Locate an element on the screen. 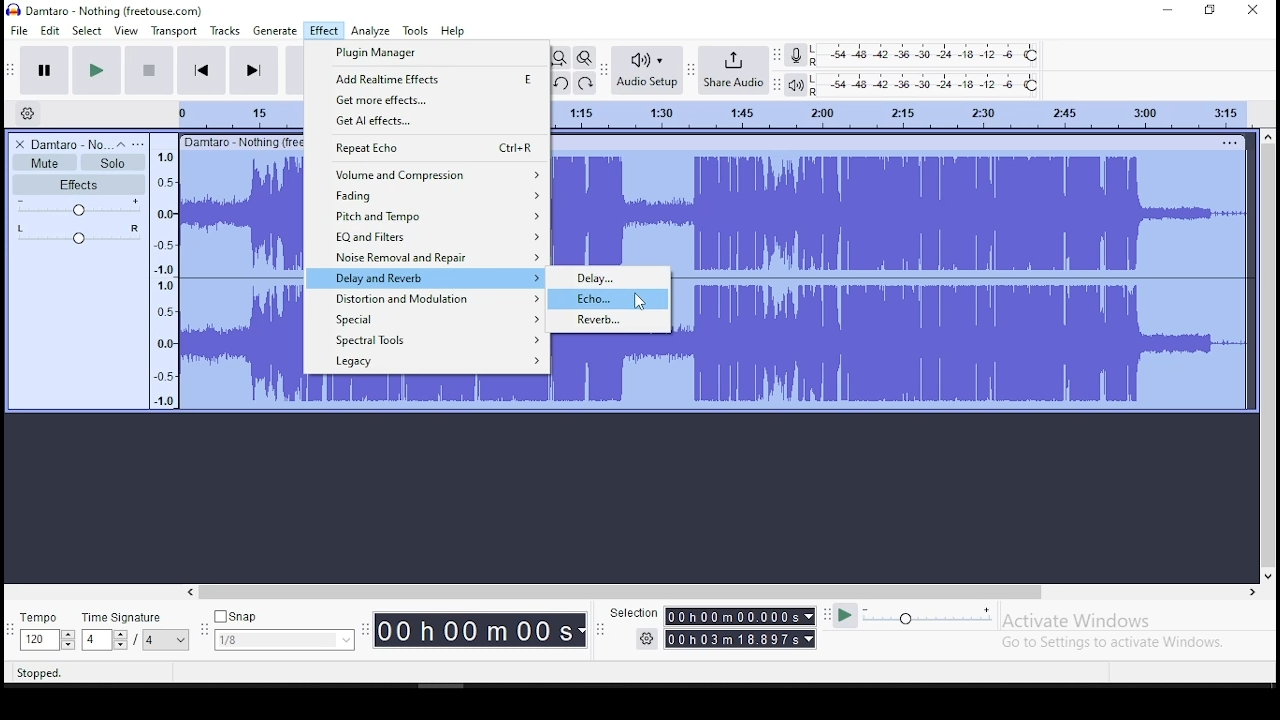   is located at coordinates (825, 614).